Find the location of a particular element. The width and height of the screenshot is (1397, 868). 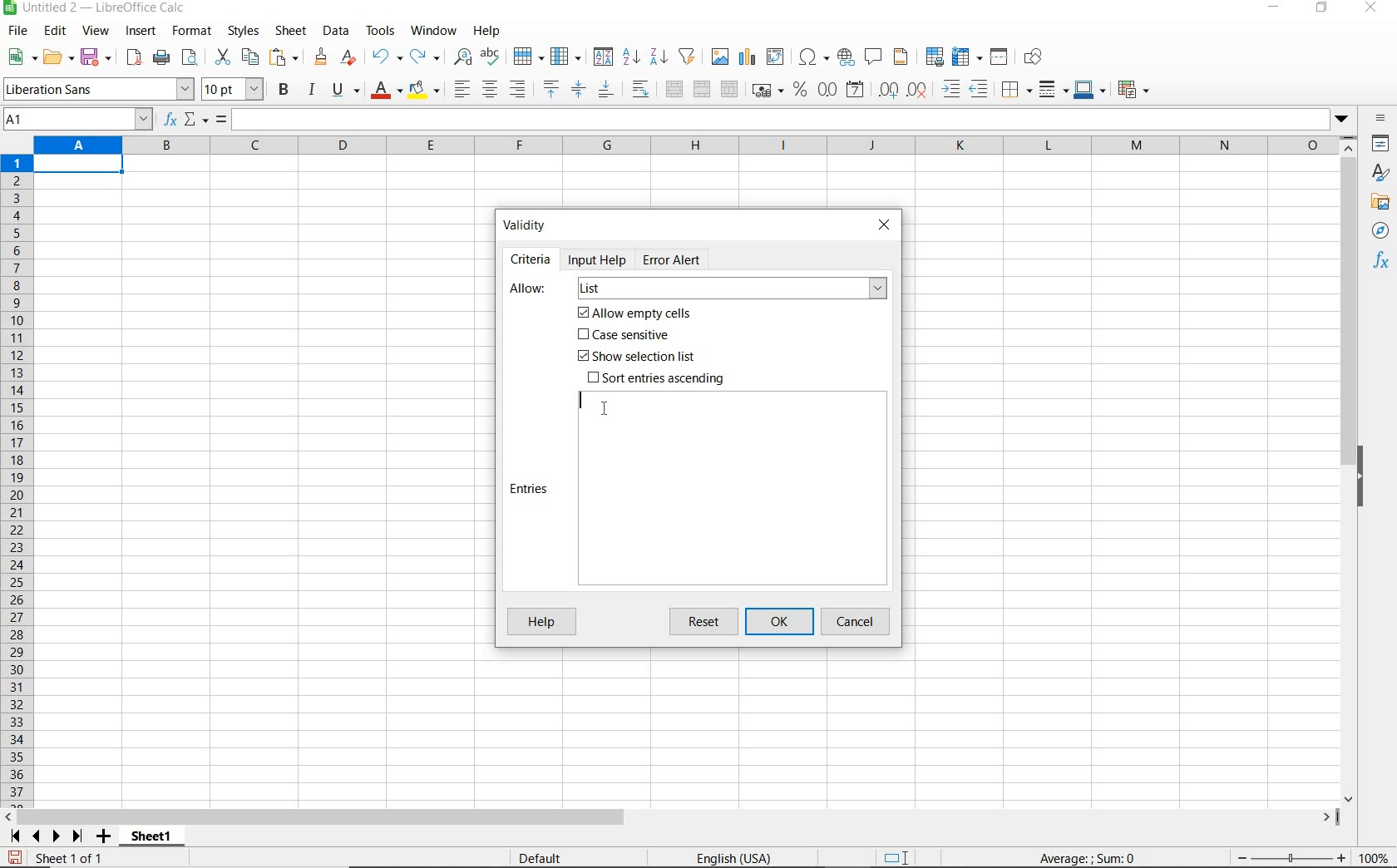

redo is located at coordinates (424, 57).